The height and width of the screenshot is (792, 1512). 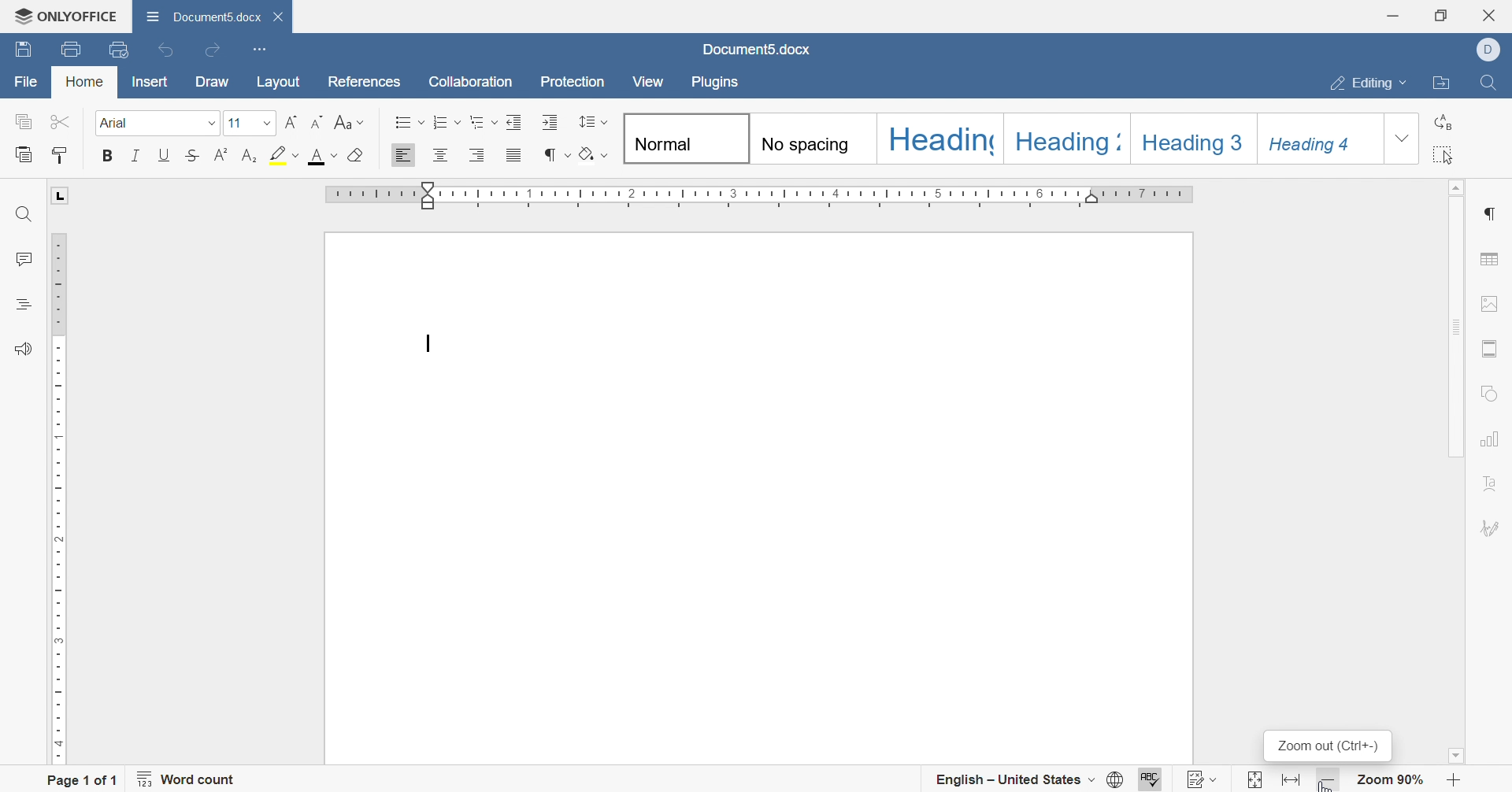 What do you see at coordinates (594, 122) in the screenshot?
I see `paragraph line spacing` at bounding box center [594, 122].